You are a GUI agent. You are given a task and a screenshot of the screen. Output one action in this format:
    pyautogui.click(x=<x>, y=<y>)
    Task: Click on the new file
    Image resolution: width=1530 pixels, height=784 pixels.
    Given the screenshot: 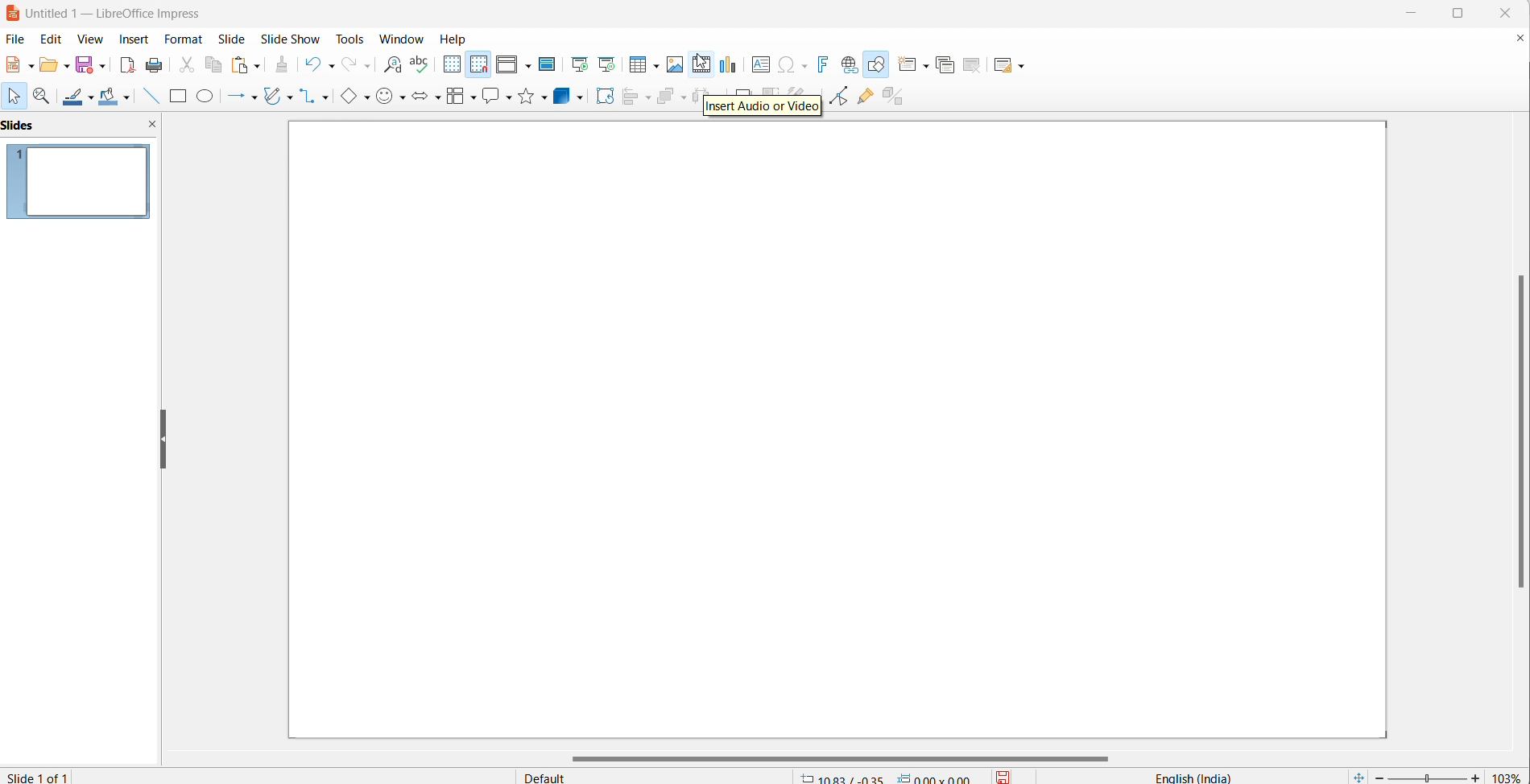 What is the action you would take?
    pyautogui.click(x=16, y=68)
    